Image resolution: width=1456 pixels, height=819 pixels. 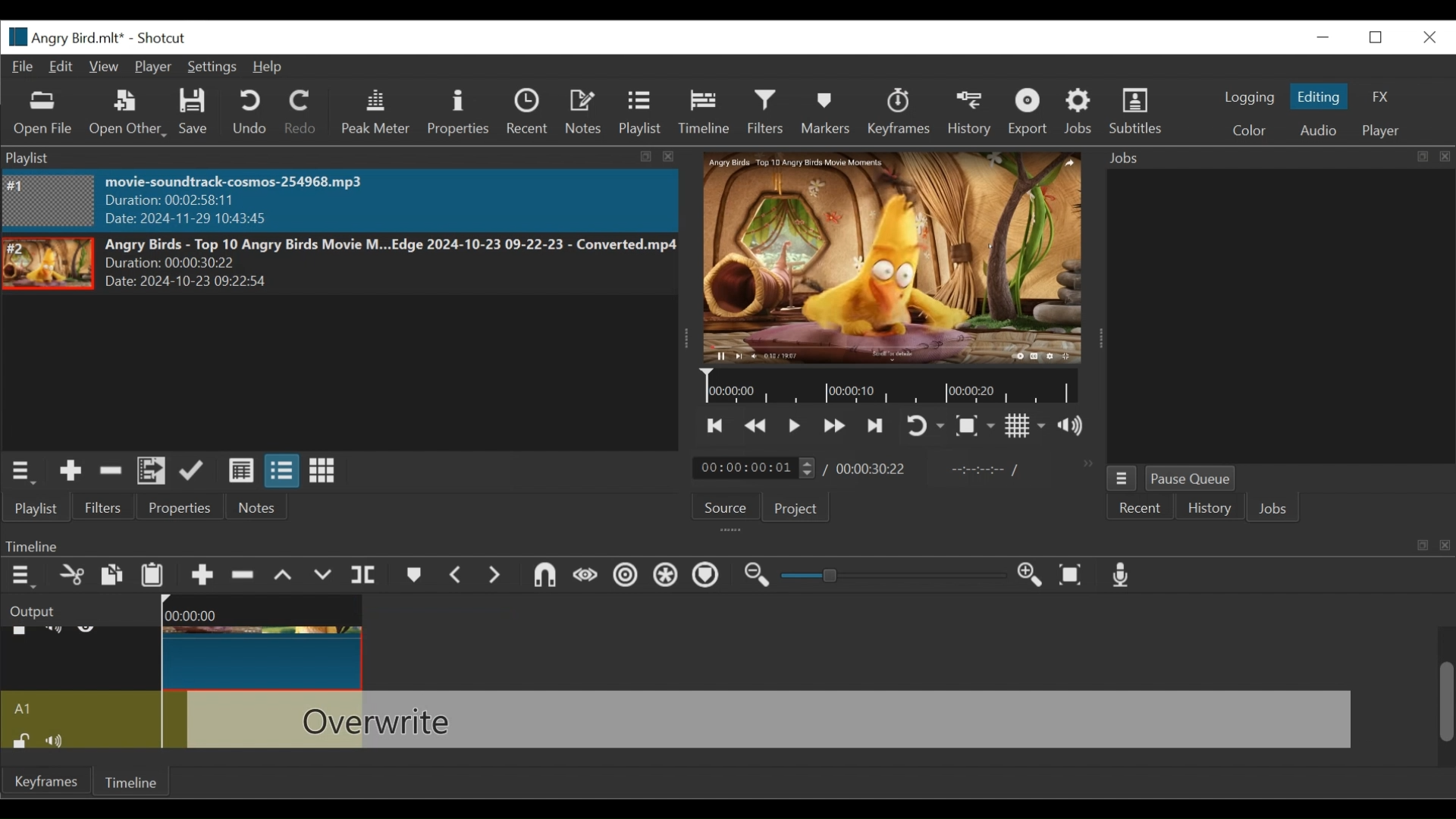 What do you see at coordinates (42, 507) in the screenshot?
I see `Playlist` at bounding box center [42, 507].